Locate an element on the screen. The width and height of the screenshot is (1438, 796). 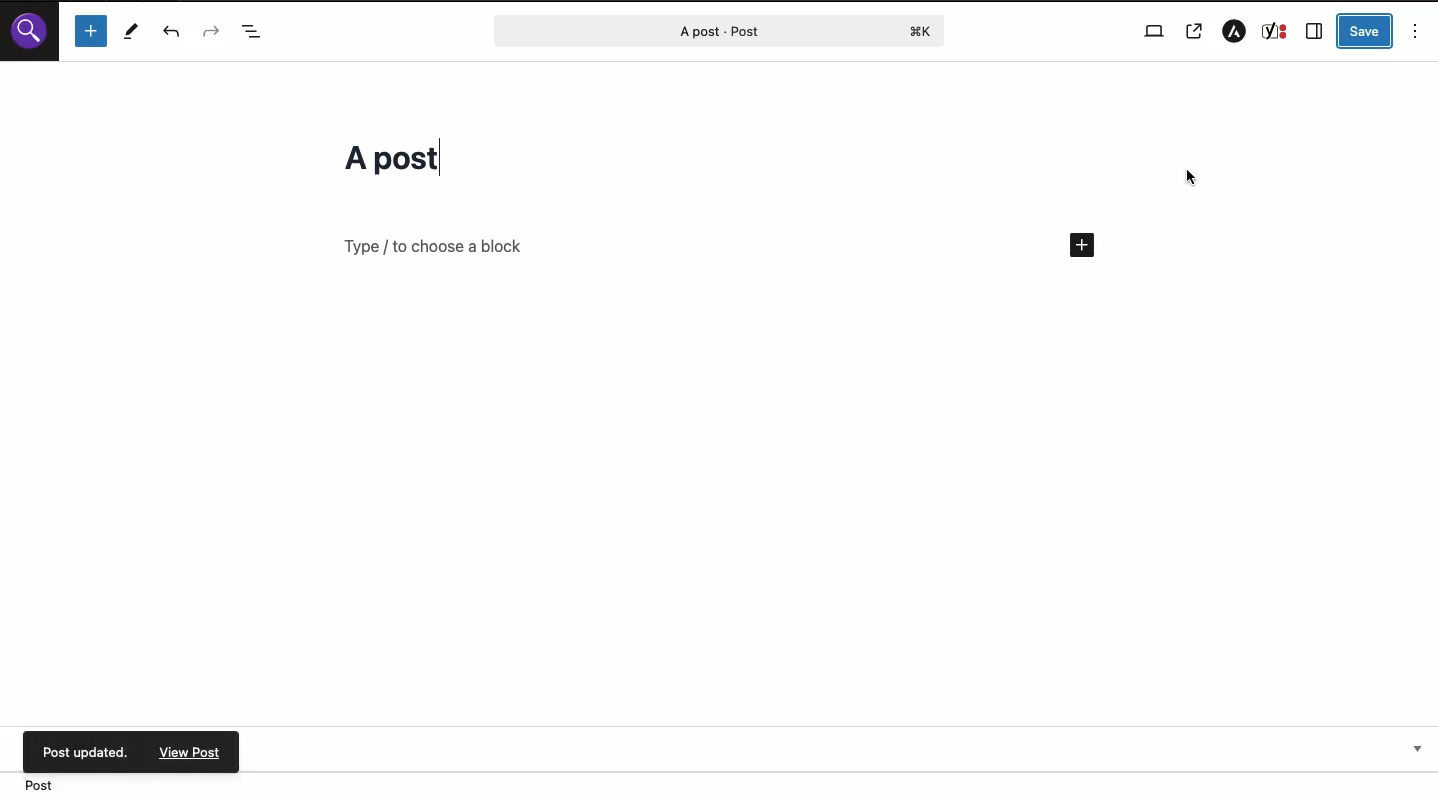
Save is located at coordinates (1365, 30).